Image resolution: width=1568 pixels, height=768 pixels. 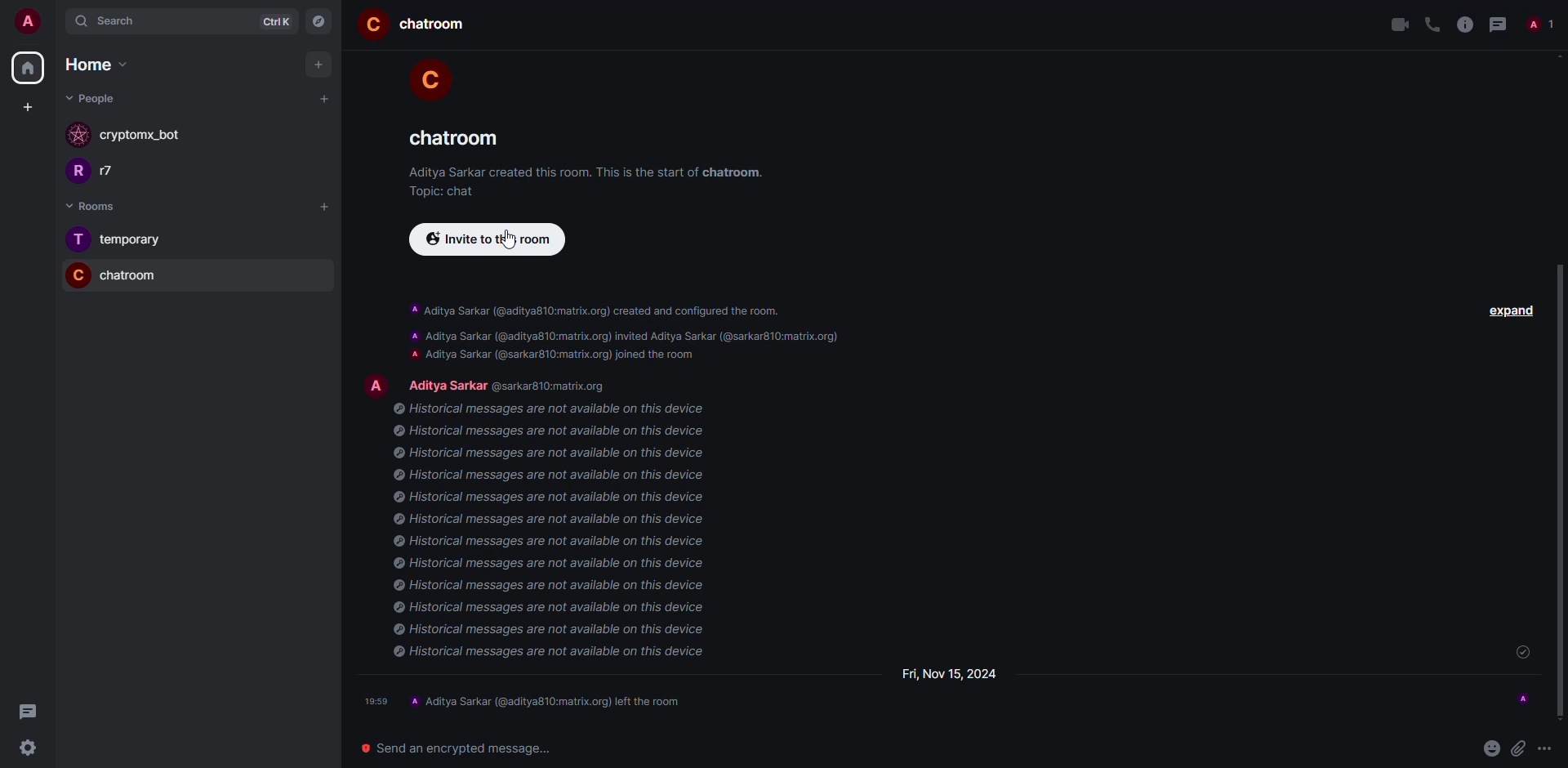 What do you see at coordinates (131, 275) in the screenshot?
I see `room` at bounding box center [131, 275].